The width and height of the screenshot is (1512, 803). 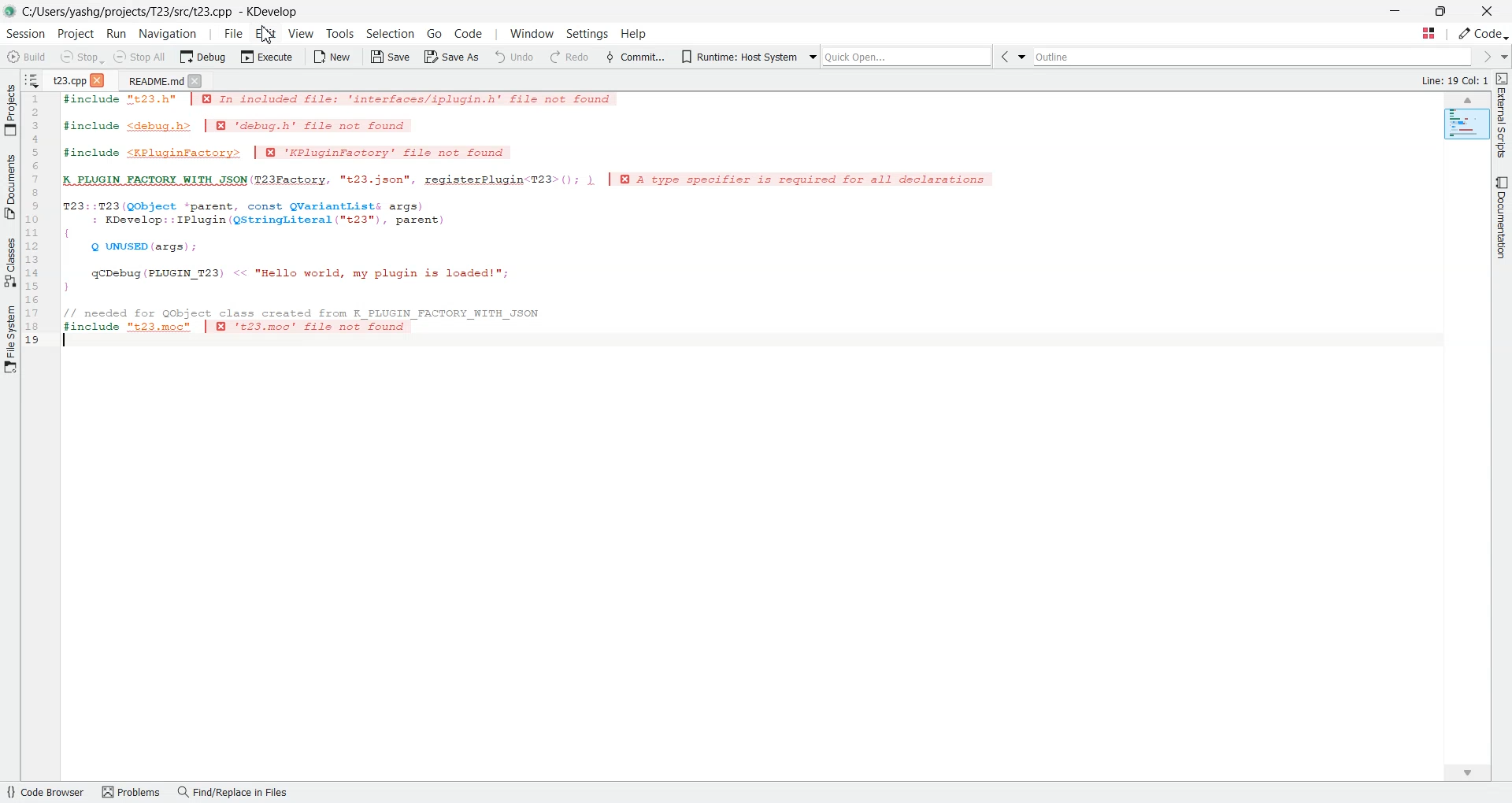 What do you see at coordinates (391, 34) in the screenshot?
I see `Selection` at bounding box center [391, 34].